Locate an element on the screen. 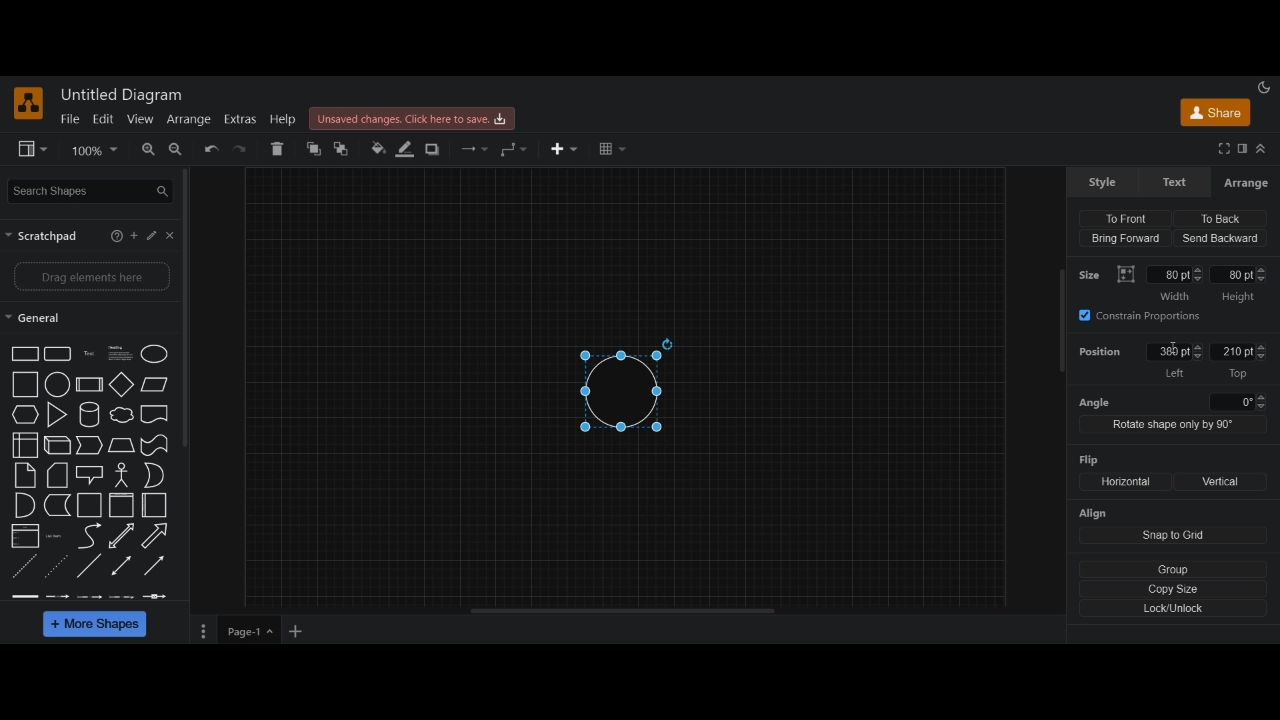 The image size is (1280, 720). extras is located at coordinates (240, 120).